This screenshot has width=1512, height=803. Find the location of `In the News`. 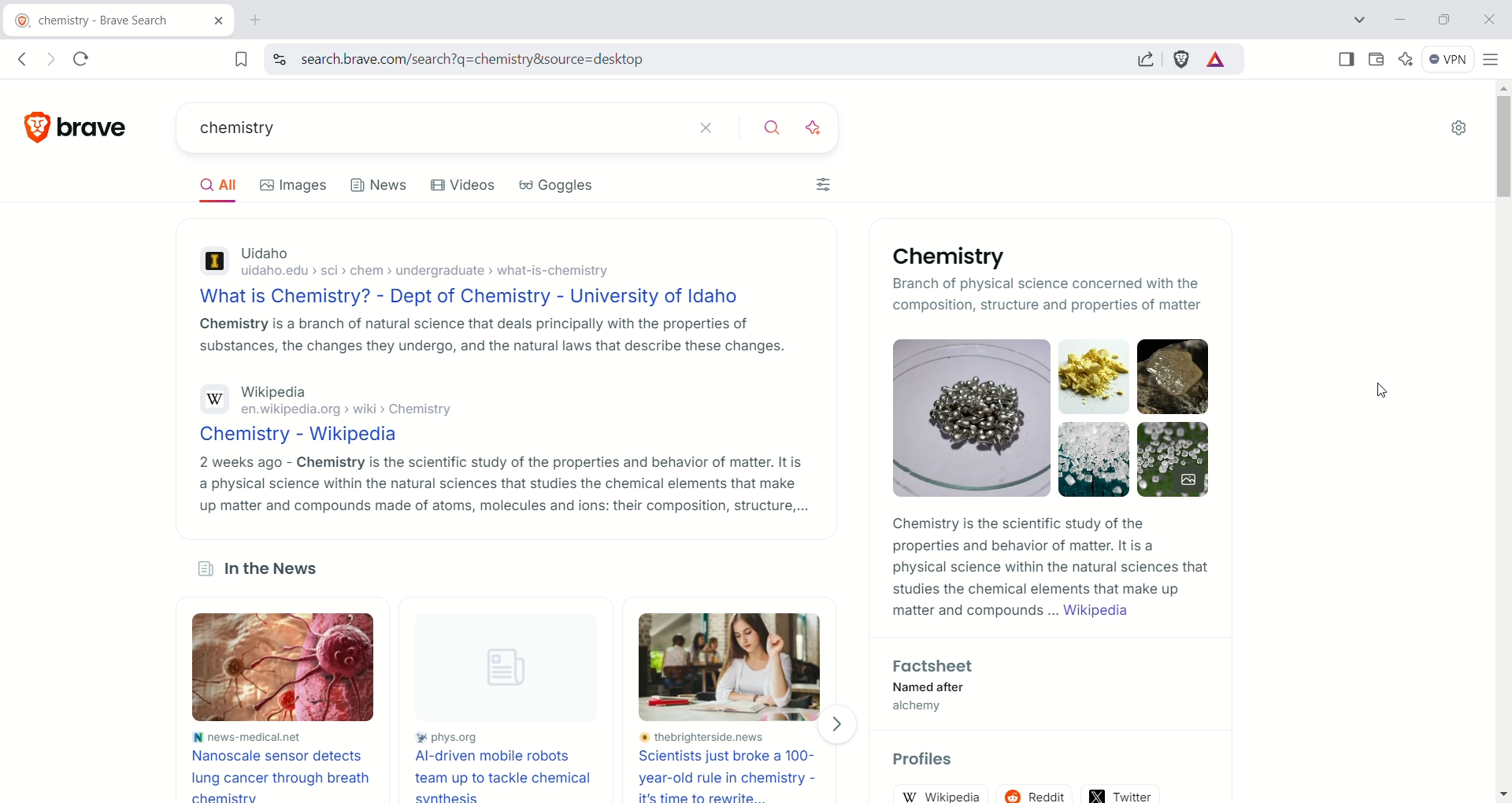

In the News is located at coordinates (256, 572).